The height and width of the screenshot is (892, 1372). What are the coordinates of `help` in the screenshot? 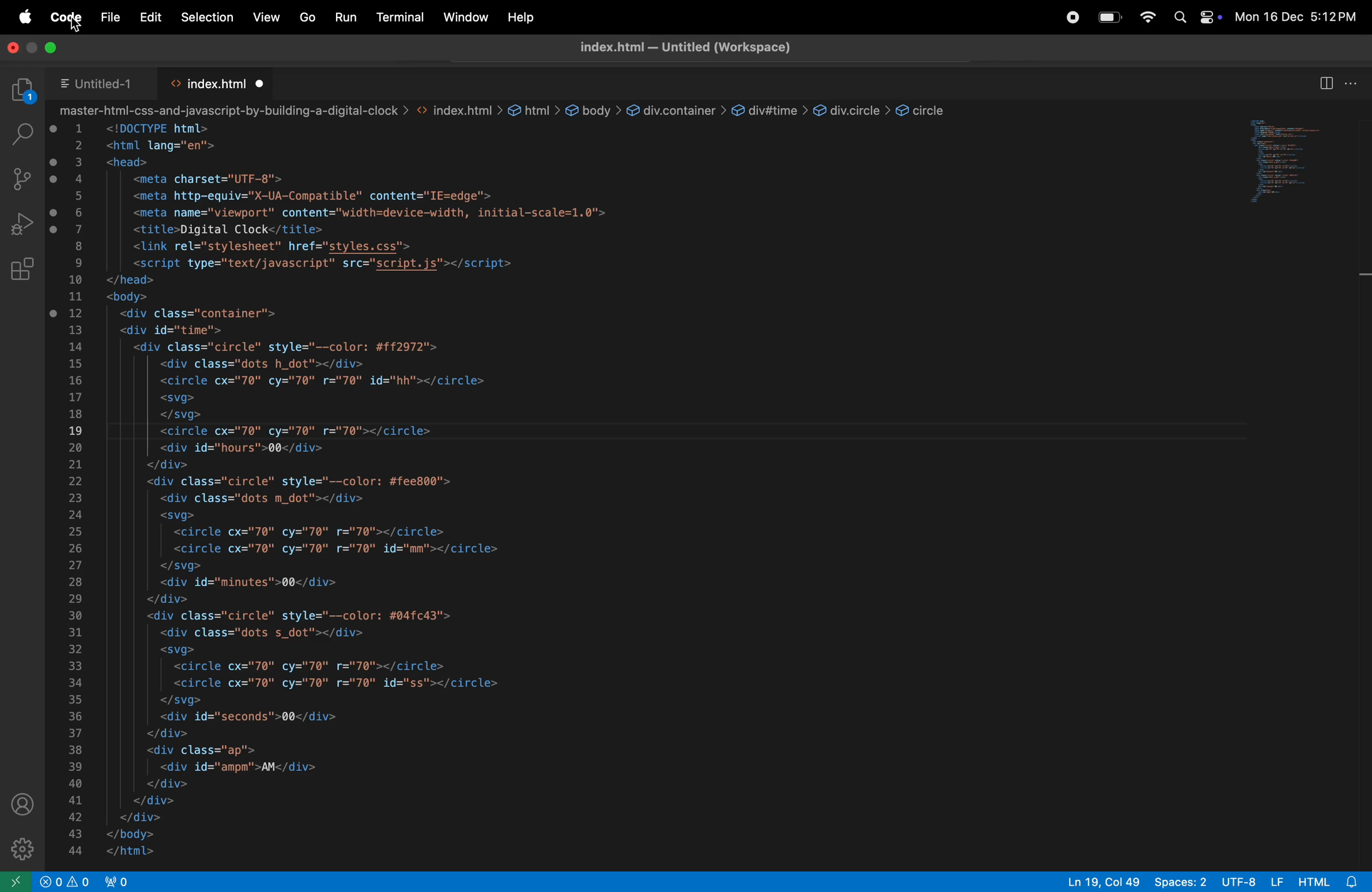 It's located at (521, 16).